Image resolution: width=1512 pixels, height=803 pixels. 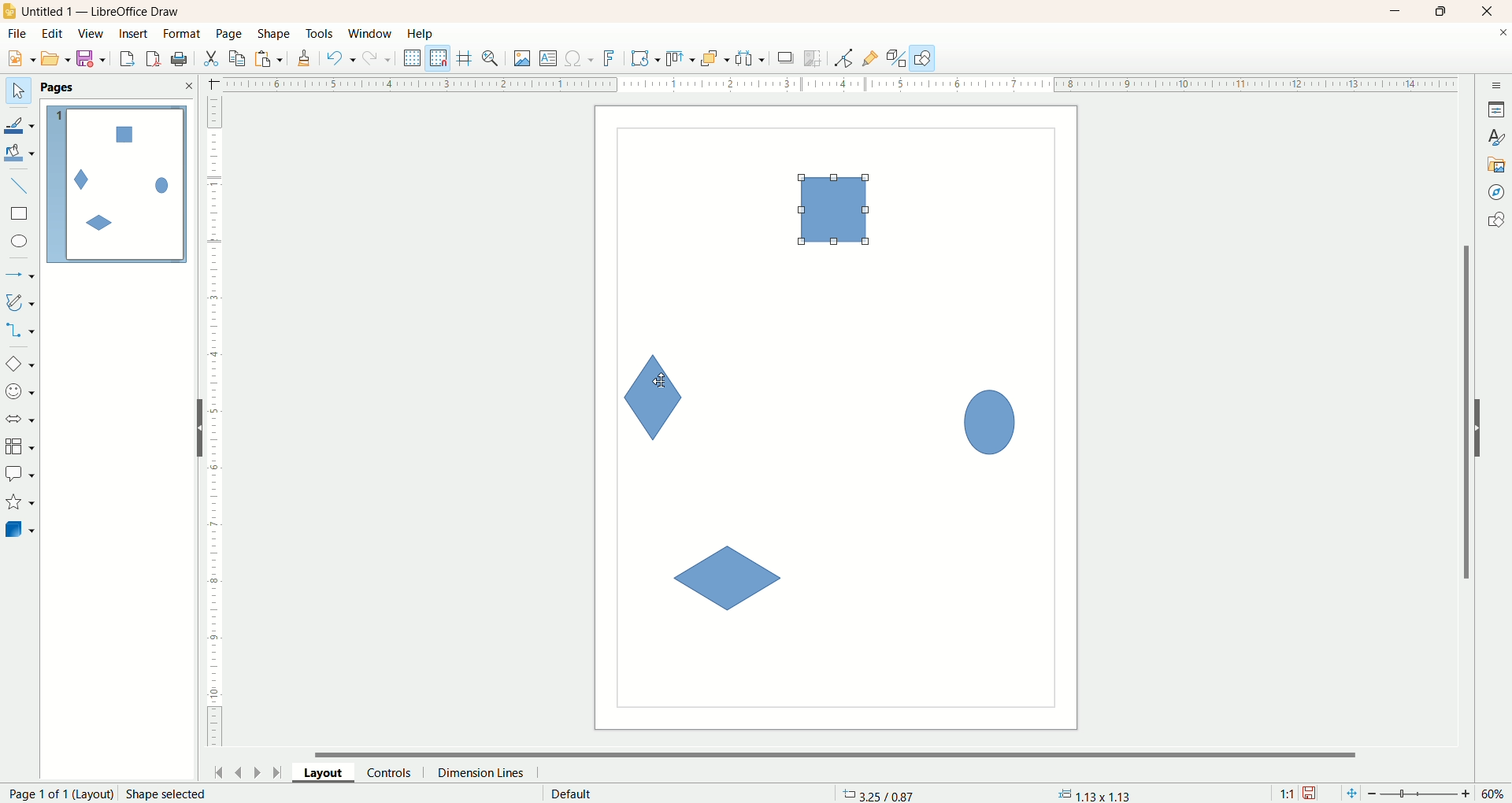 What do you see at coordinates (57, 794) in the screenshot?
I see `page number` at bounding box center [57, 794].